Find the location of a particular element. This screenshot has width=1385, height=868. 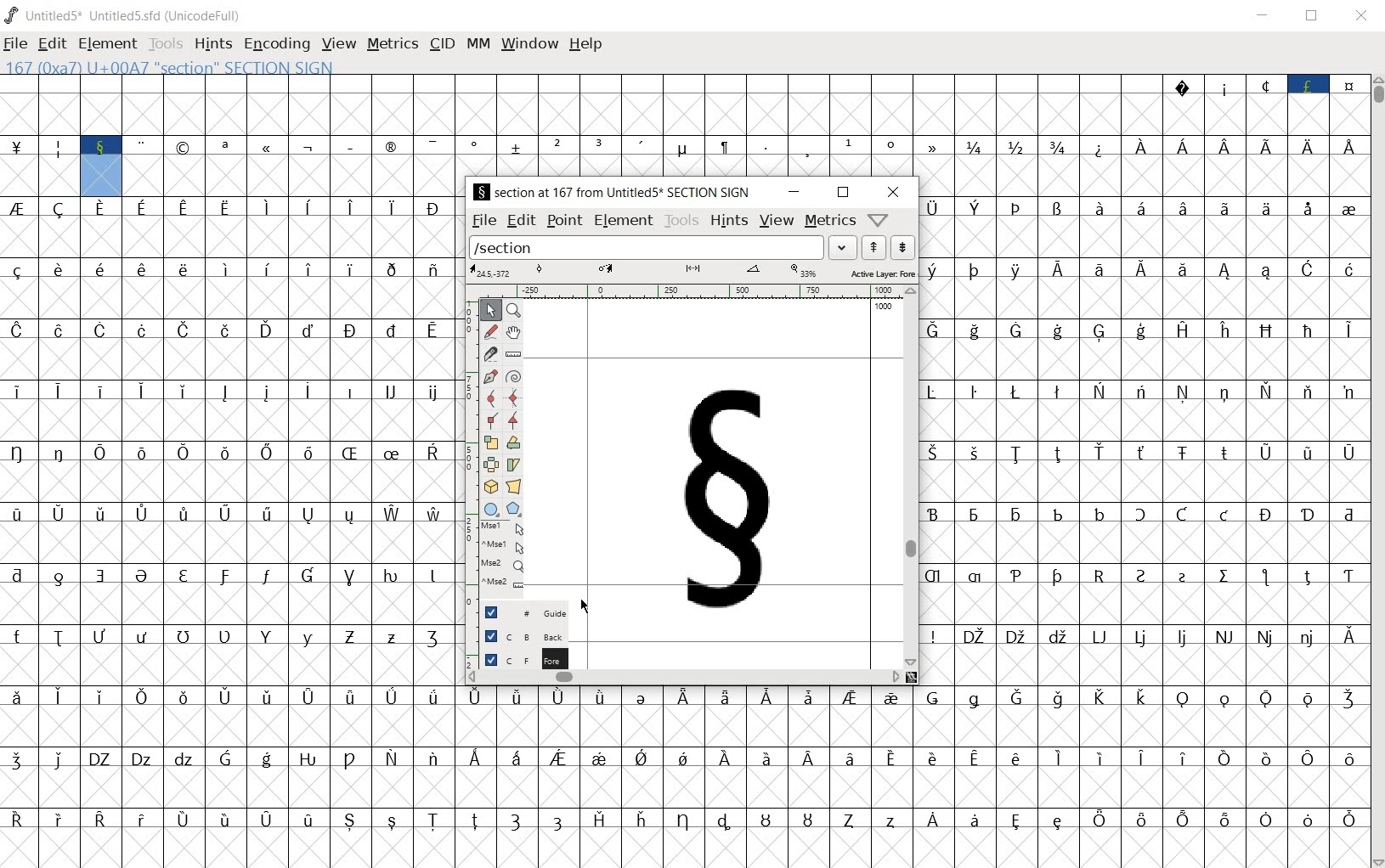

foreground layer is located at coordinates (524, 658).